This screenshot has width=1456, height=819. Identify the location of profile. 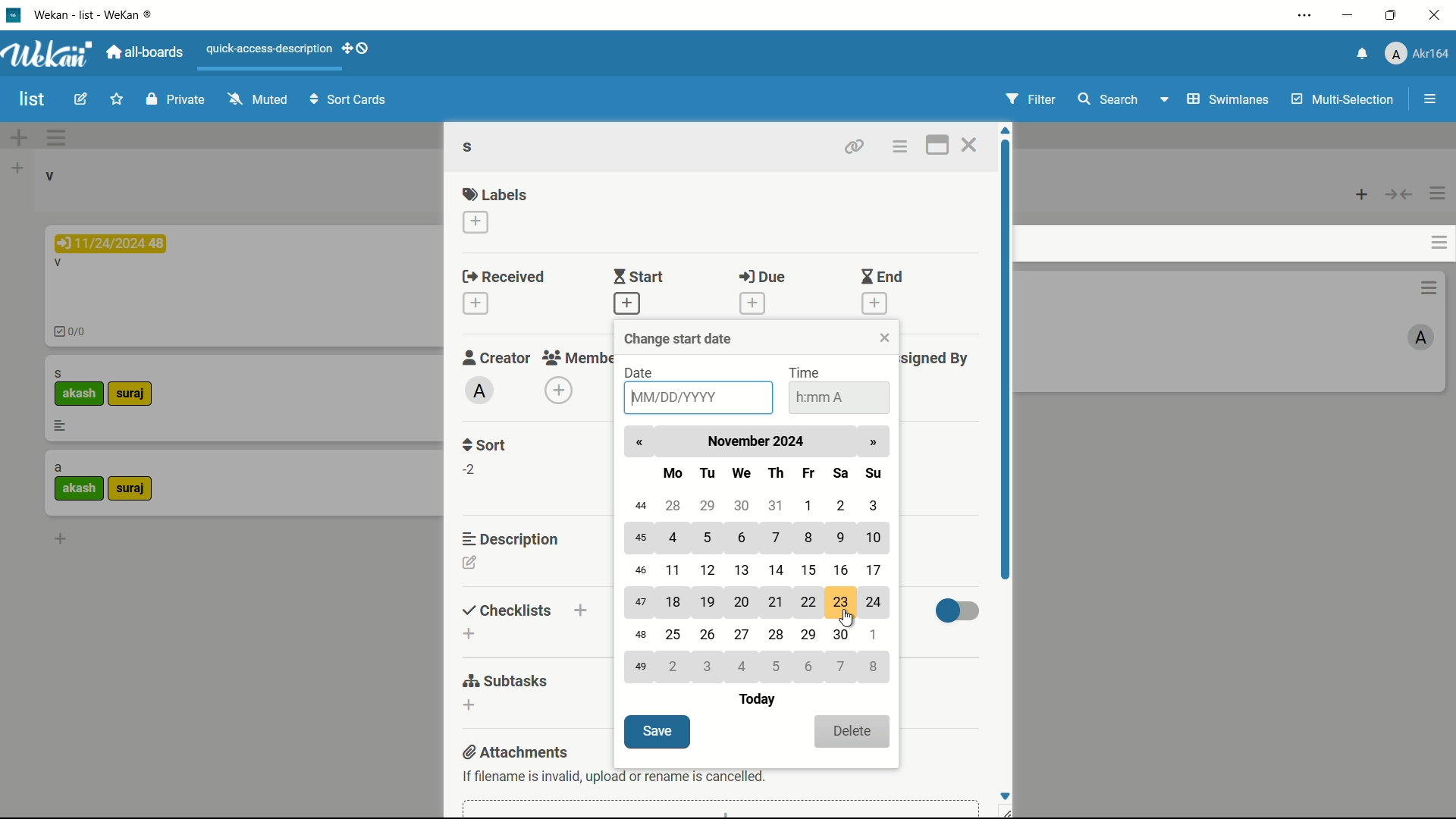
(1418, 52).